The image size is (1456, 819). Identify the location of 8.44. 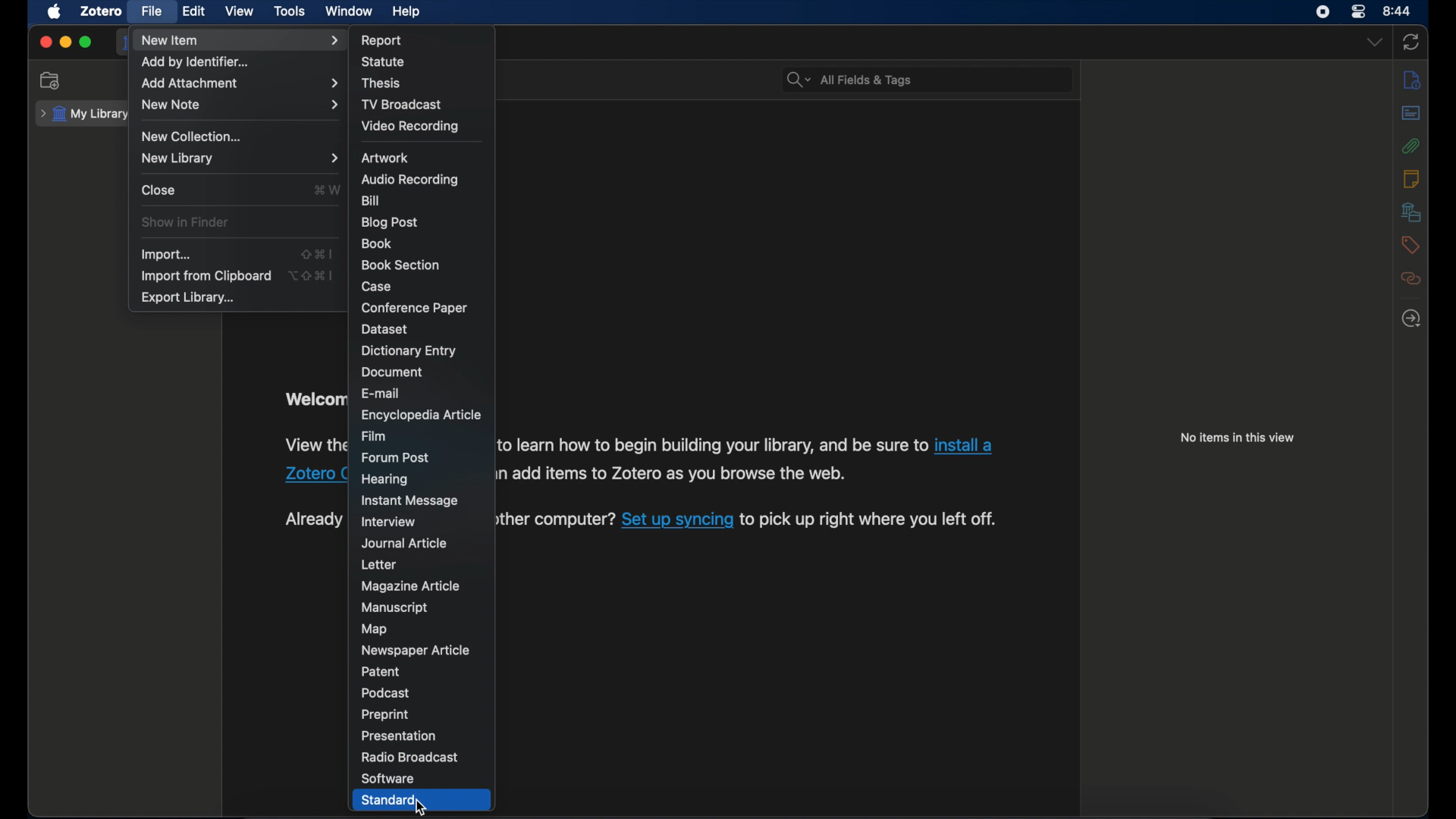
(1398, 10).